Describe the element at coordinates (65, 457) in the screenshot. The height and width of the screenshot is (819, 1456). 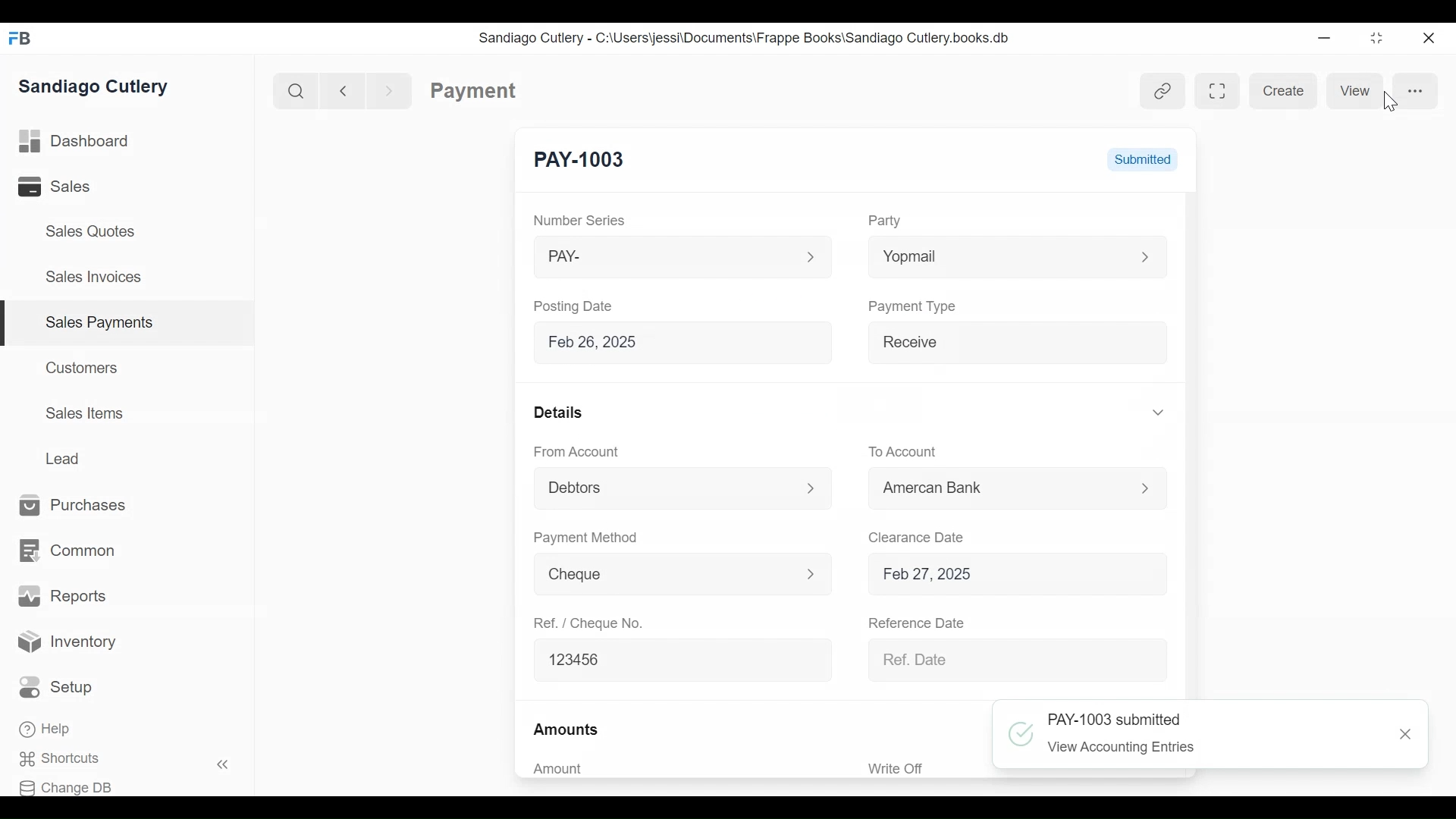
I see `Lead` at that location.